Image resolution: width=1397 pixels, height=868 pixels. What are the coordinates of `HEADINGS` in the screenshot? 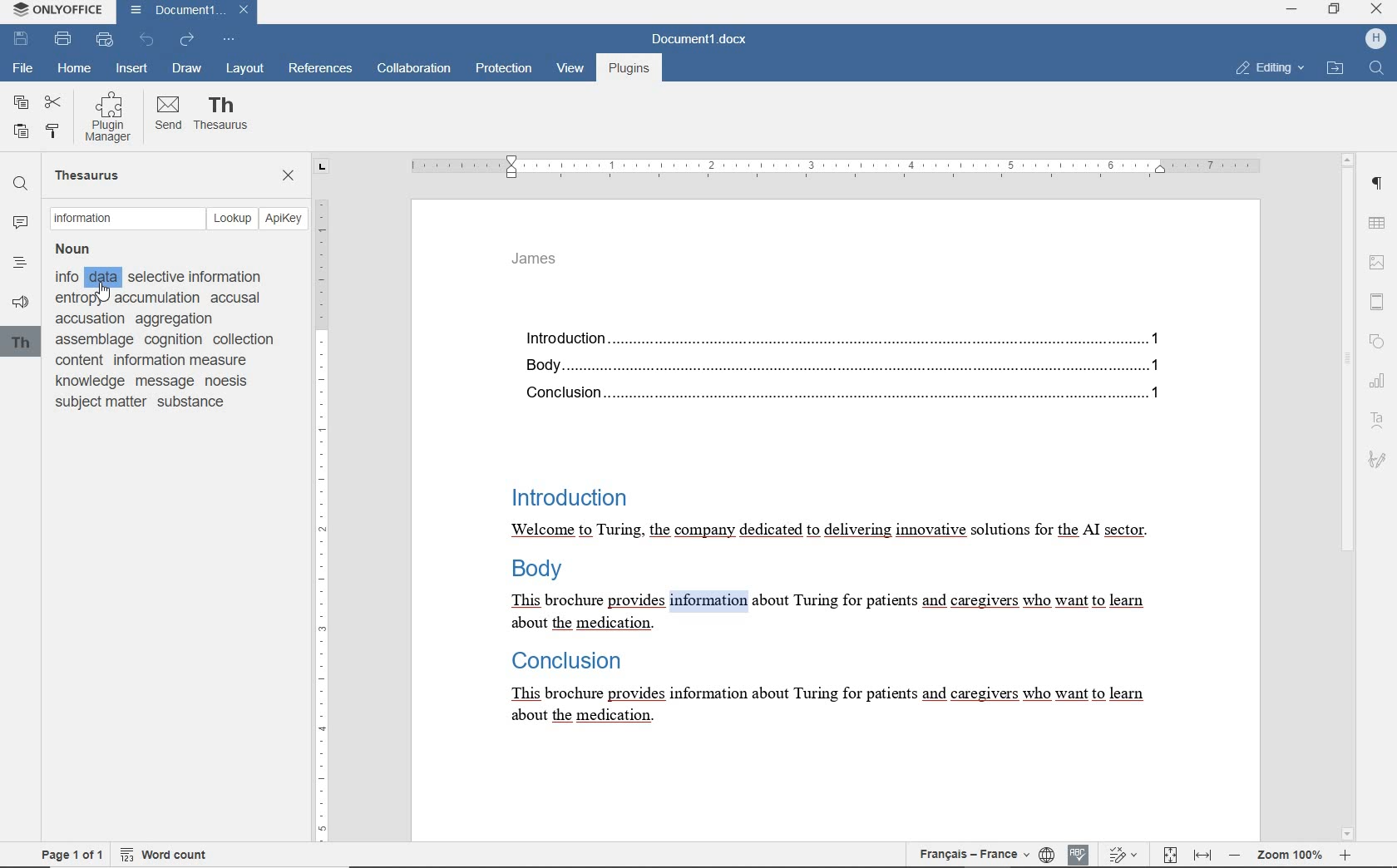 It's located at (18, 262).